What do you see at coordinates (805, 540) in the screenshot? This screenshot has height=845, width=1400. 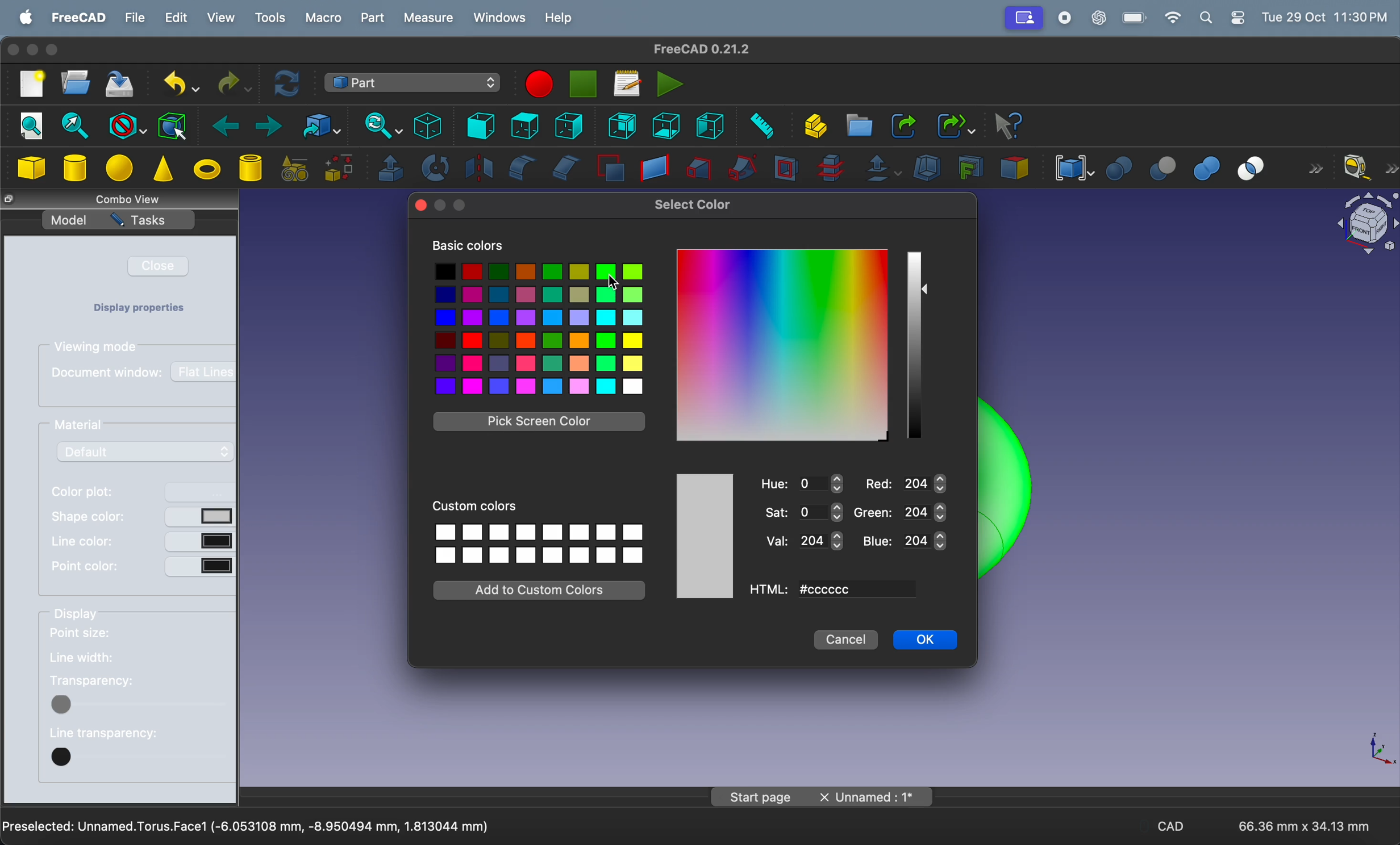 I see `Val` at bounding box center [805, 540].